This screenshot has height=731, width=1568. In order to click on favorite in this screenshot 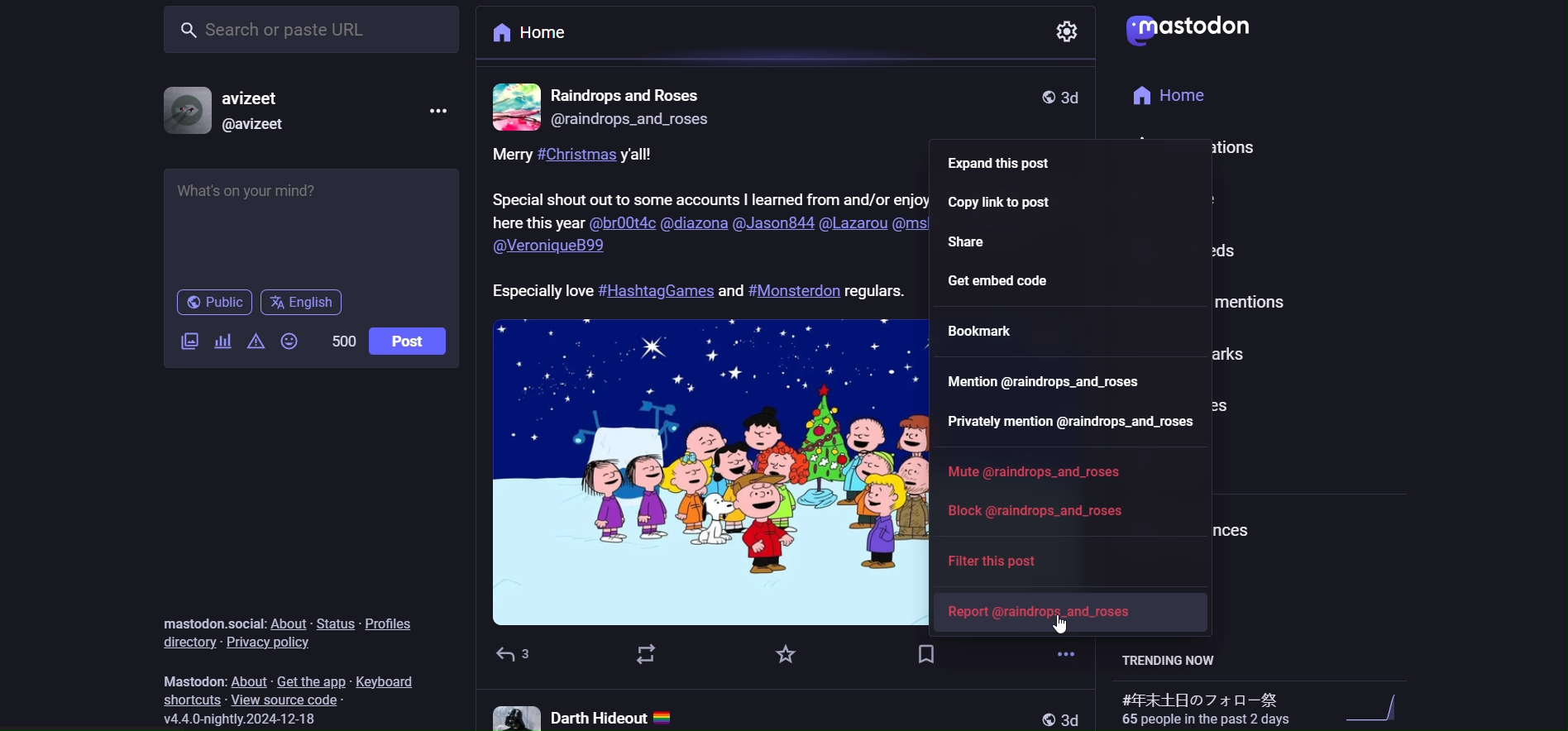, I will do `click(784, 654)`.